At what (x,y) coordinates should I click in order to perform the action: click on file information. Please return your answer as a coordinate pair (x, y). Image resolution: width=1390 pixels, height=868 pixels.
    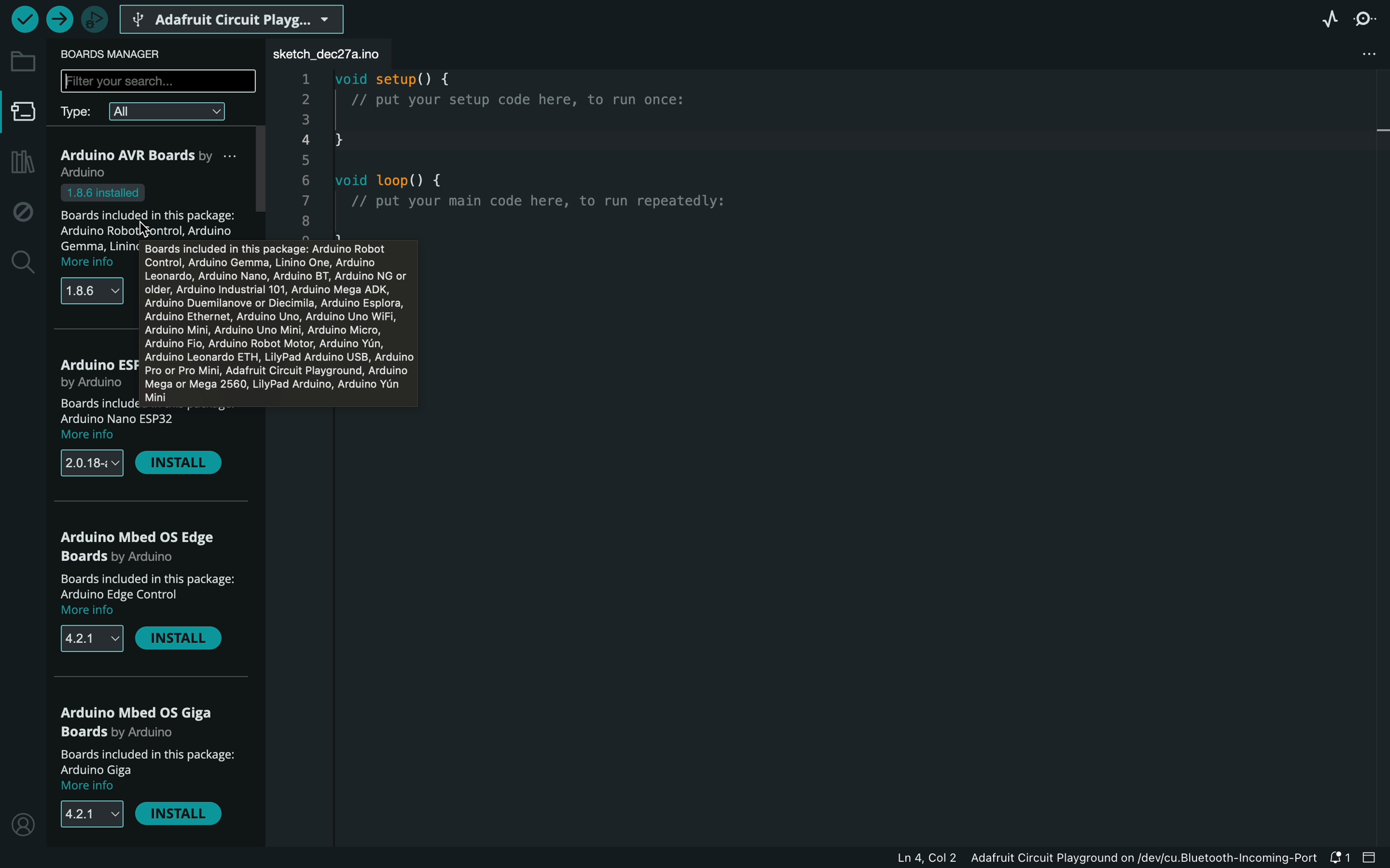
    Looking at the image, I should click on (1059, 861).